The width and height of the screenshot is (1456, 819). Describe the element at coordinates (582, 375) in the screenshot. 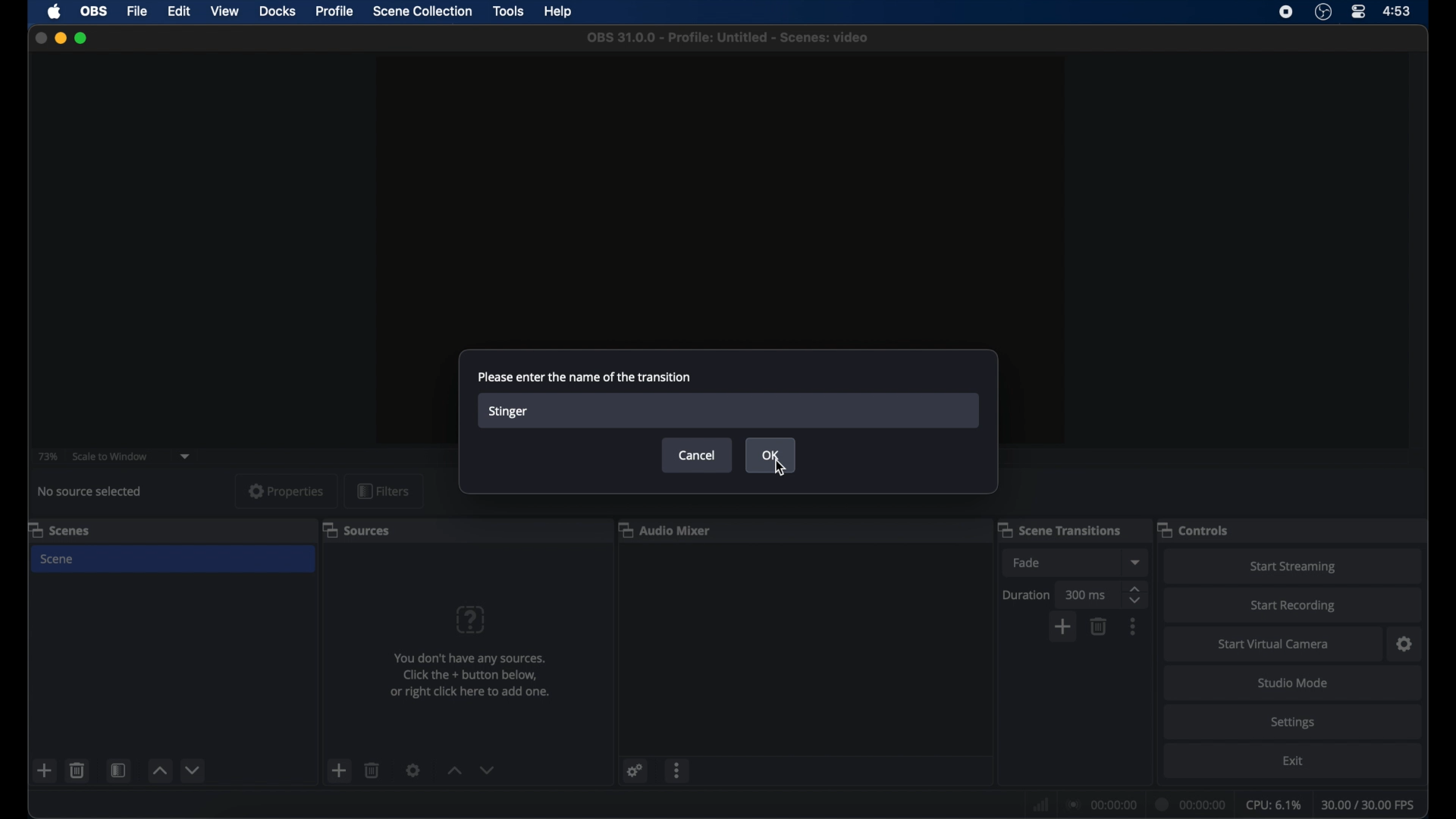

I see `please enter the name of the transition` at that location.